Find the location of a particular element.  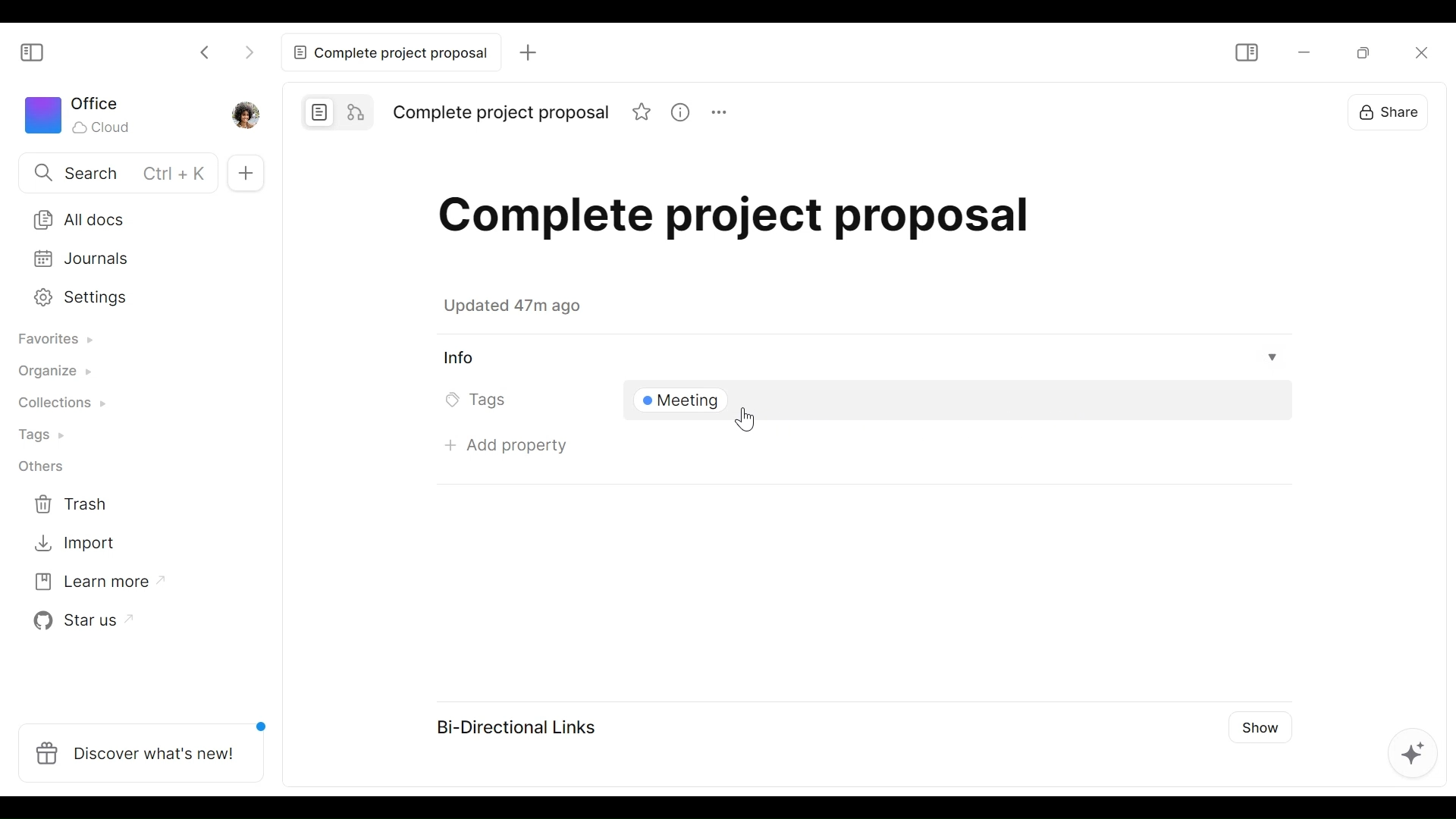

Import is located at coordinates (79, 544).